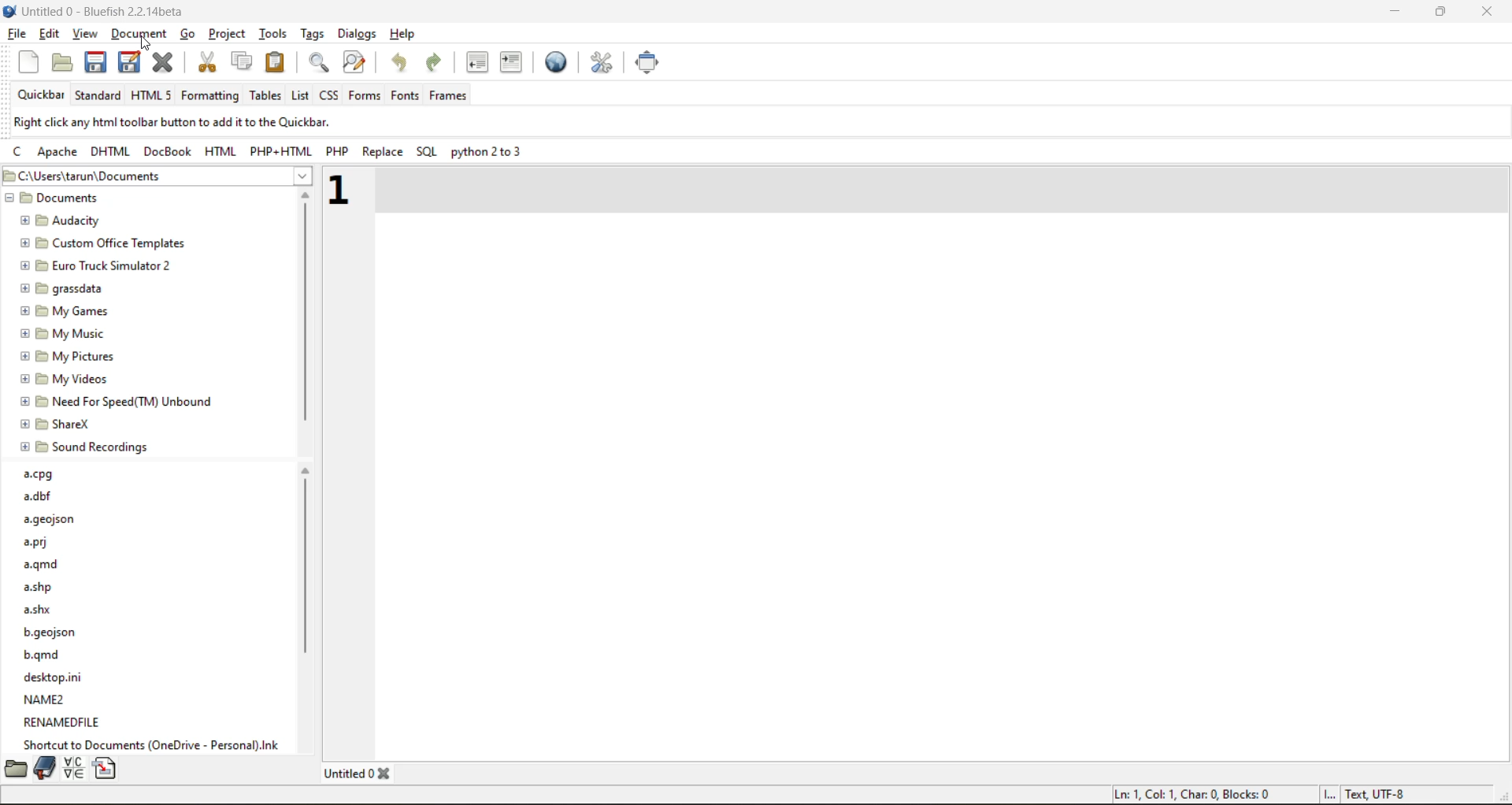 Image resolution: width=1512 pixels, height=805 pixels. What do you see at coordinates (46, 699) in the screenshot?
I see `name2` at bounding box center [46, 699].